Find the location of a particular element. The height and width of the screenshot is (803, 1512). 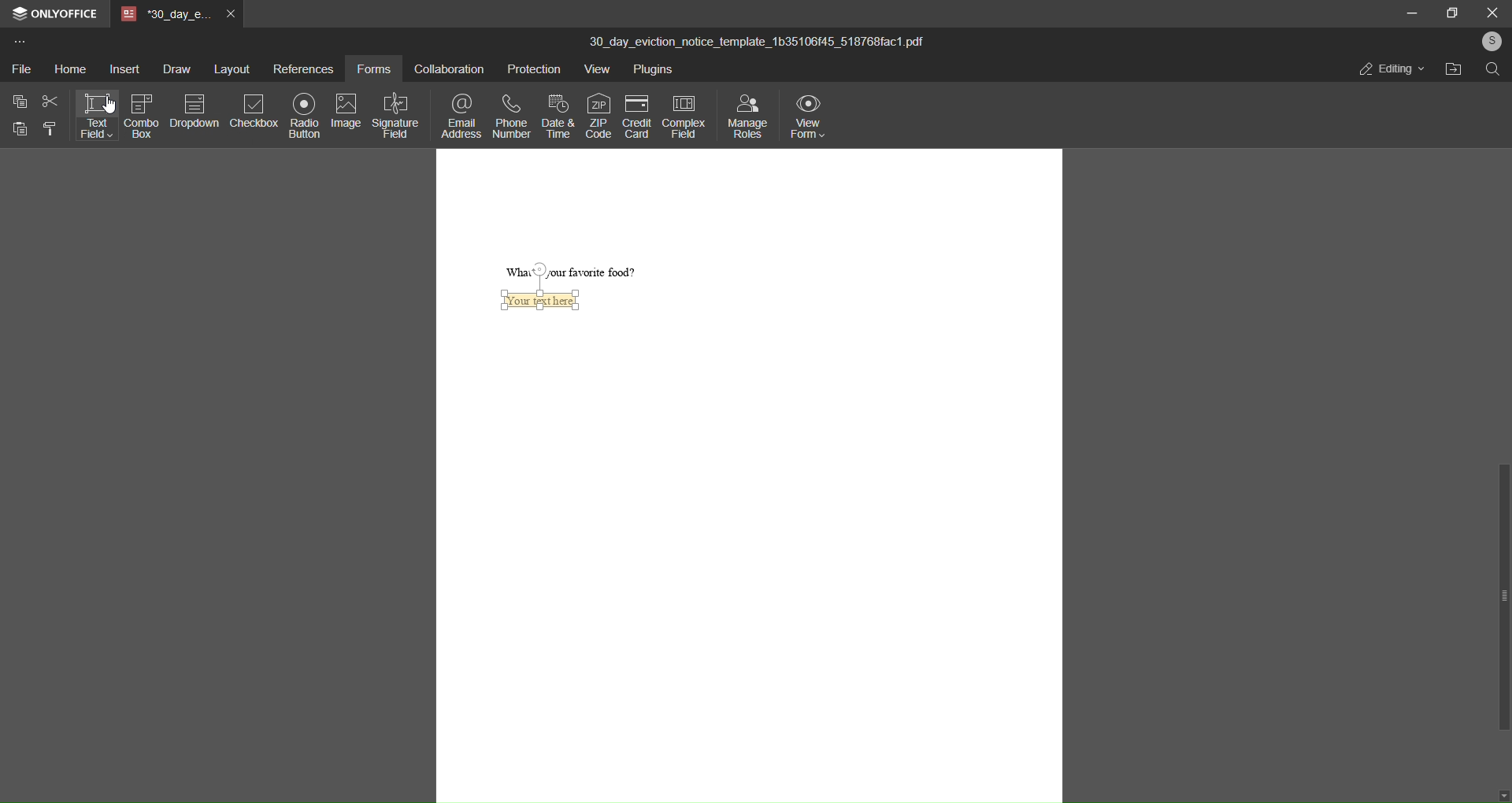

email address is located at coordinates (461, 116).